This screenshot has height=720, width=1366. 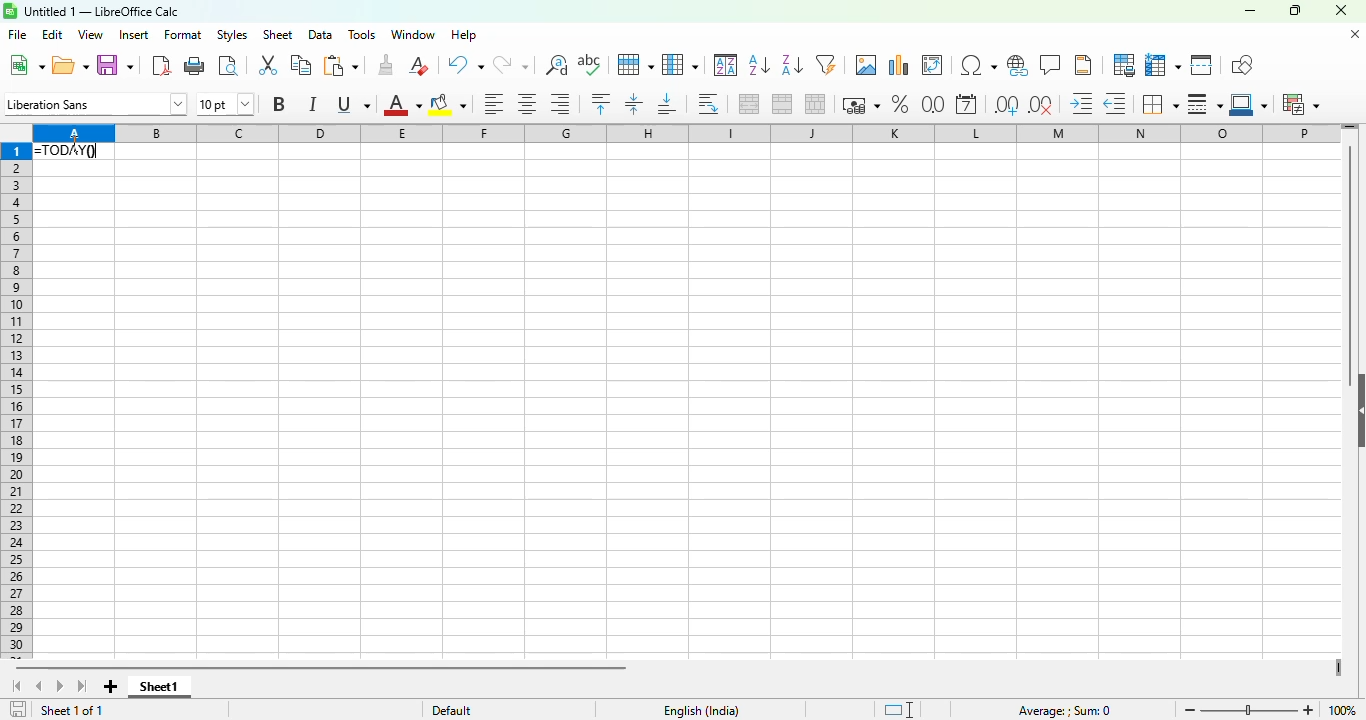 What do you see at coordinates (196, 66) in the screenshot?
I see `print ` at bounding box center [196, 66].